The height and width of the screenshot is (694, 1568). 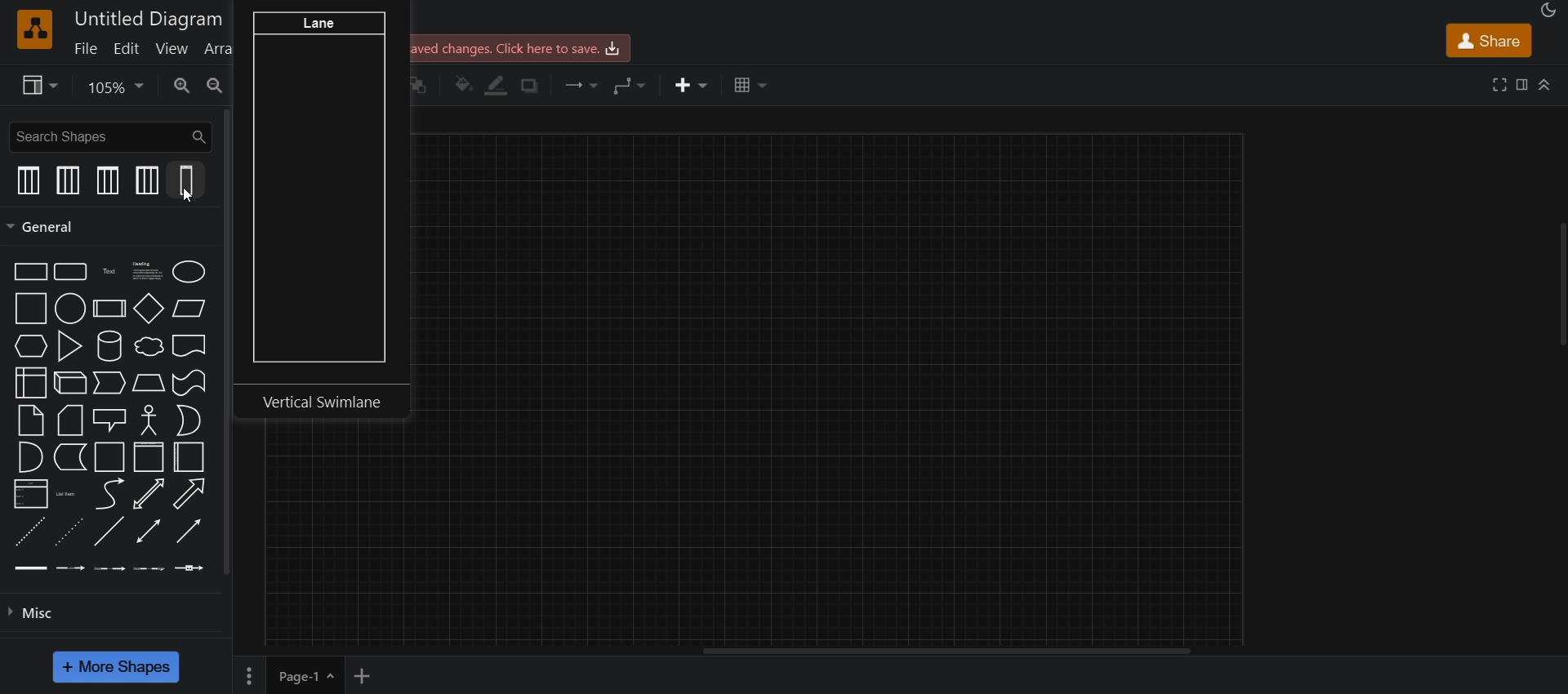 I want to click on misc, so click(x=31, y=617).